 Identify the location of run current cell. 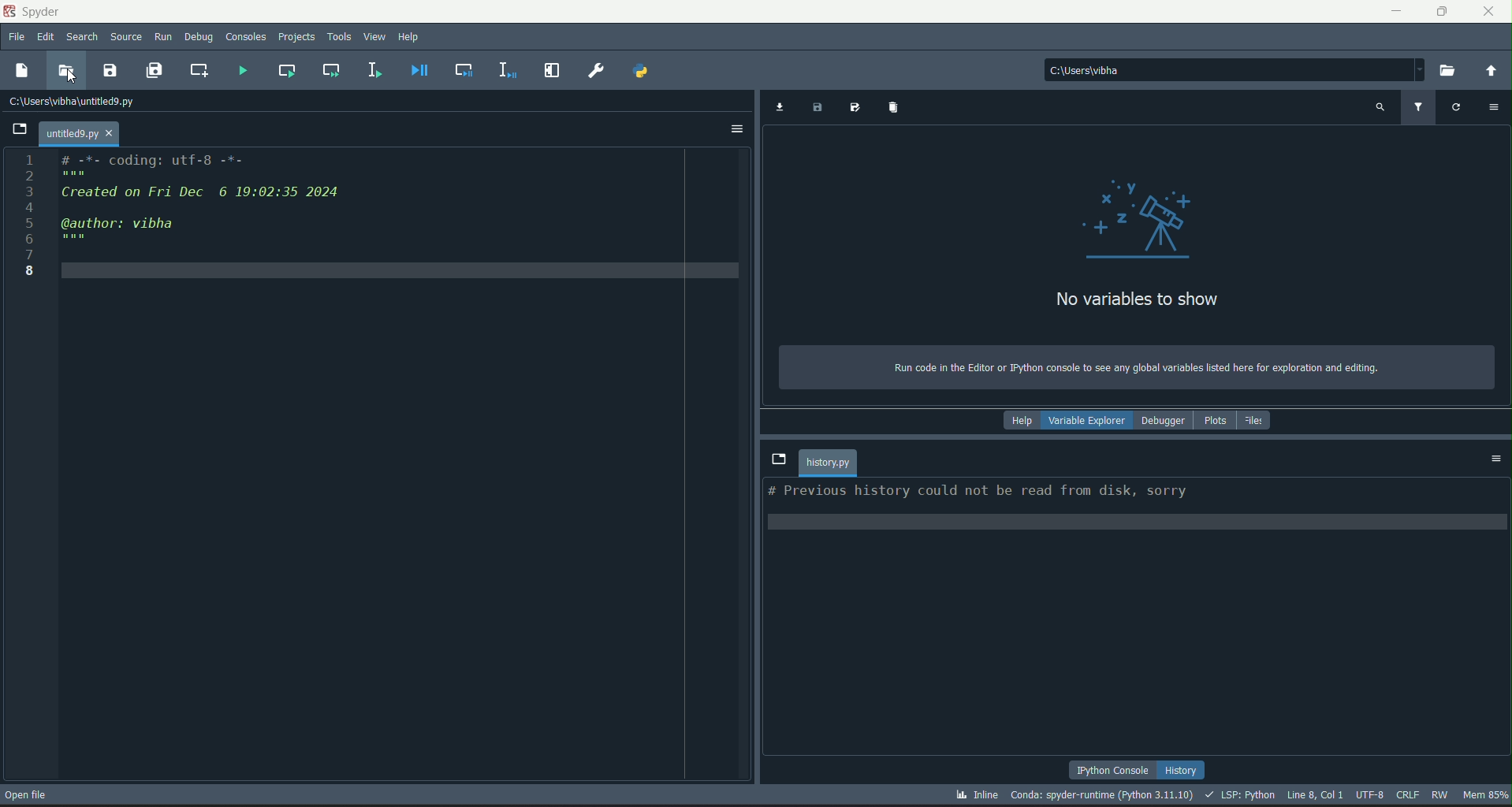
(287, 71).